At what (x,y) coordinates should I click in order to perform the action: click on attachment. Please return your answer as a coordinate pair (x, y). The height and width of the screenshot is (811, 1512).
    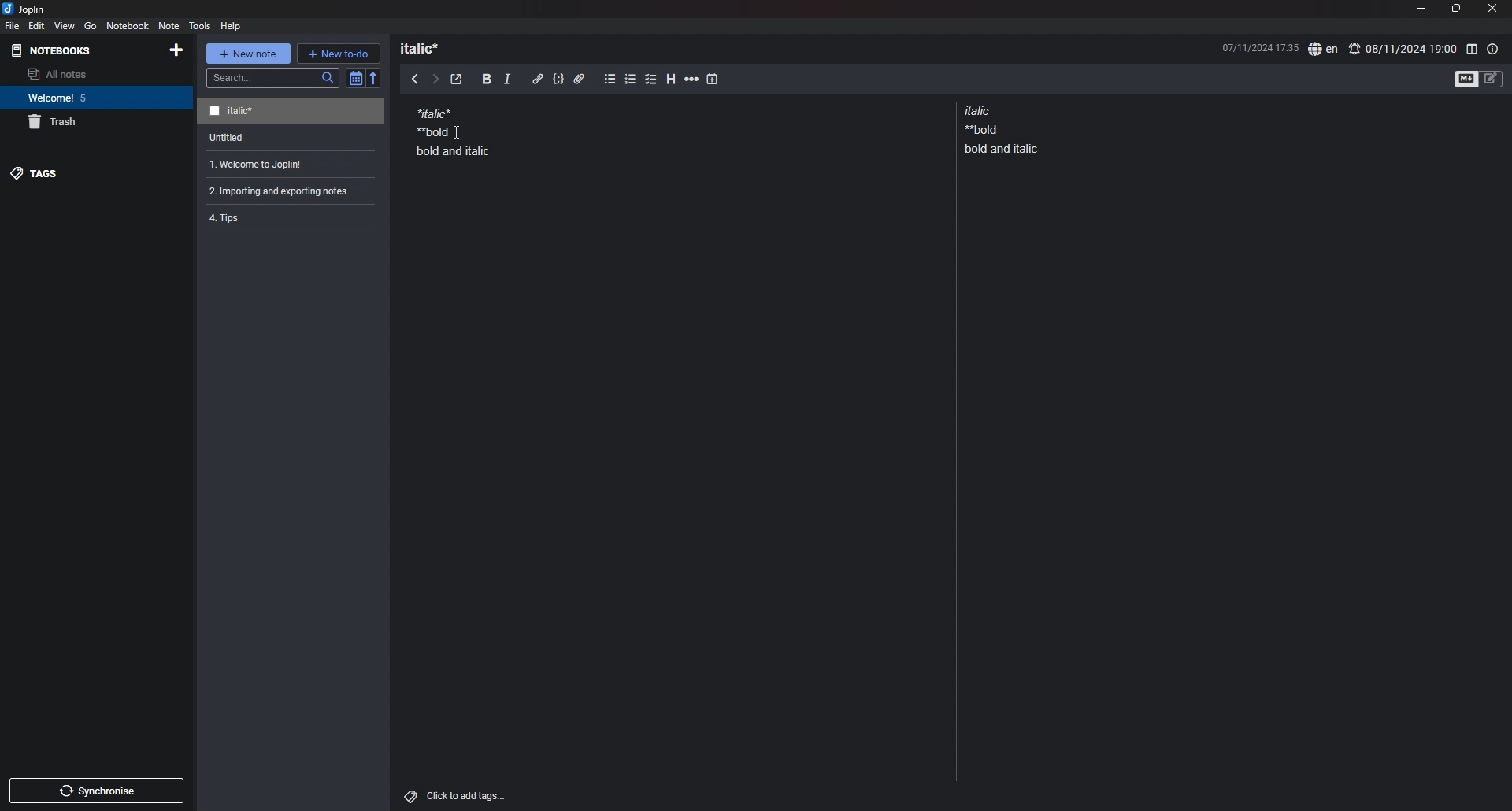
    Looking at the image, I should click on (580, 80).